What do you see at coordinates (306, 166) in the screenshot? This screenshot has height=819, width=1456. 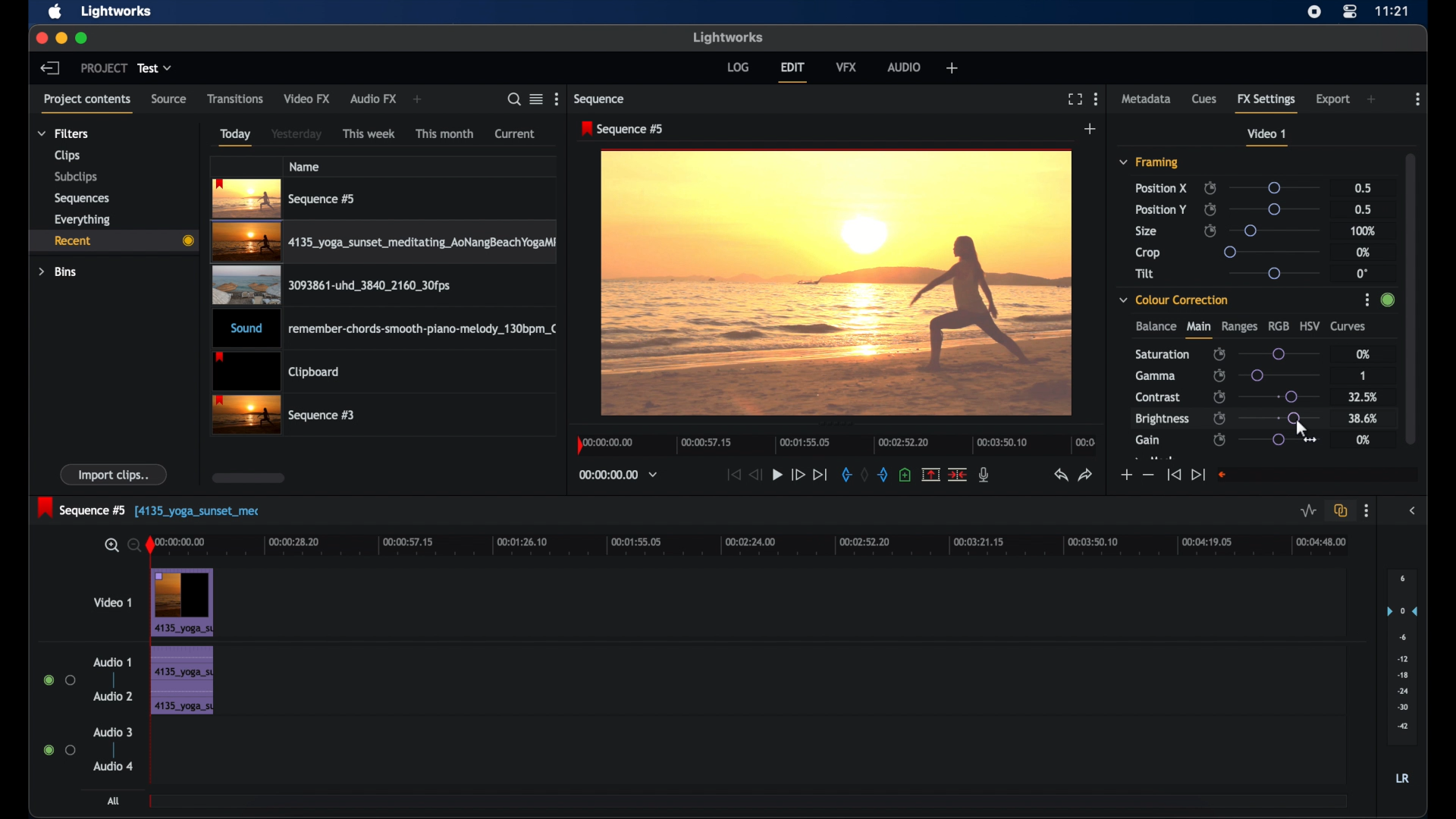 I see `name` at bounding box center [306, 166].